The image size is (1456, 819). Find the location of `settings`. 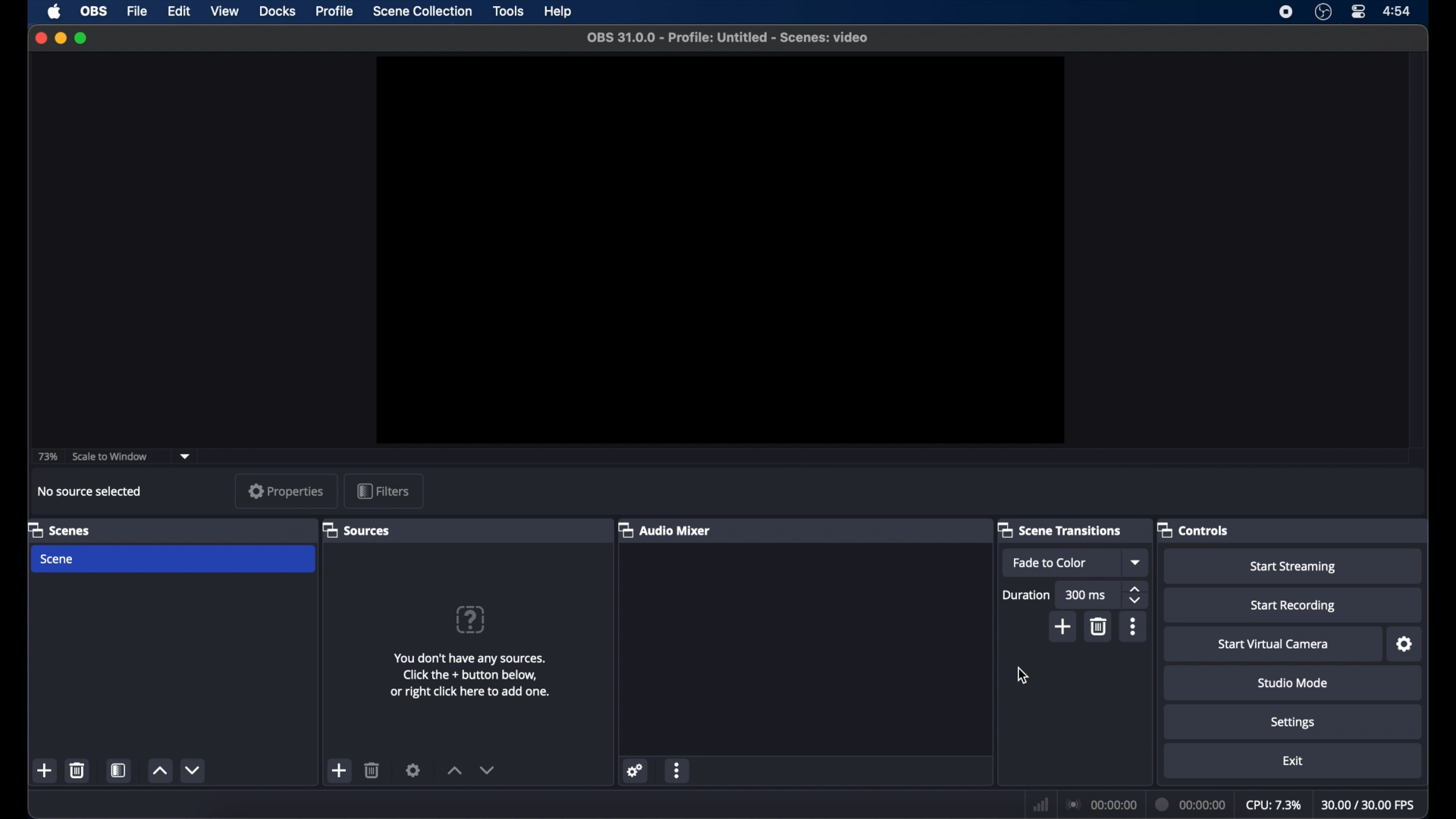

settings is located at coordinates (634, 770).